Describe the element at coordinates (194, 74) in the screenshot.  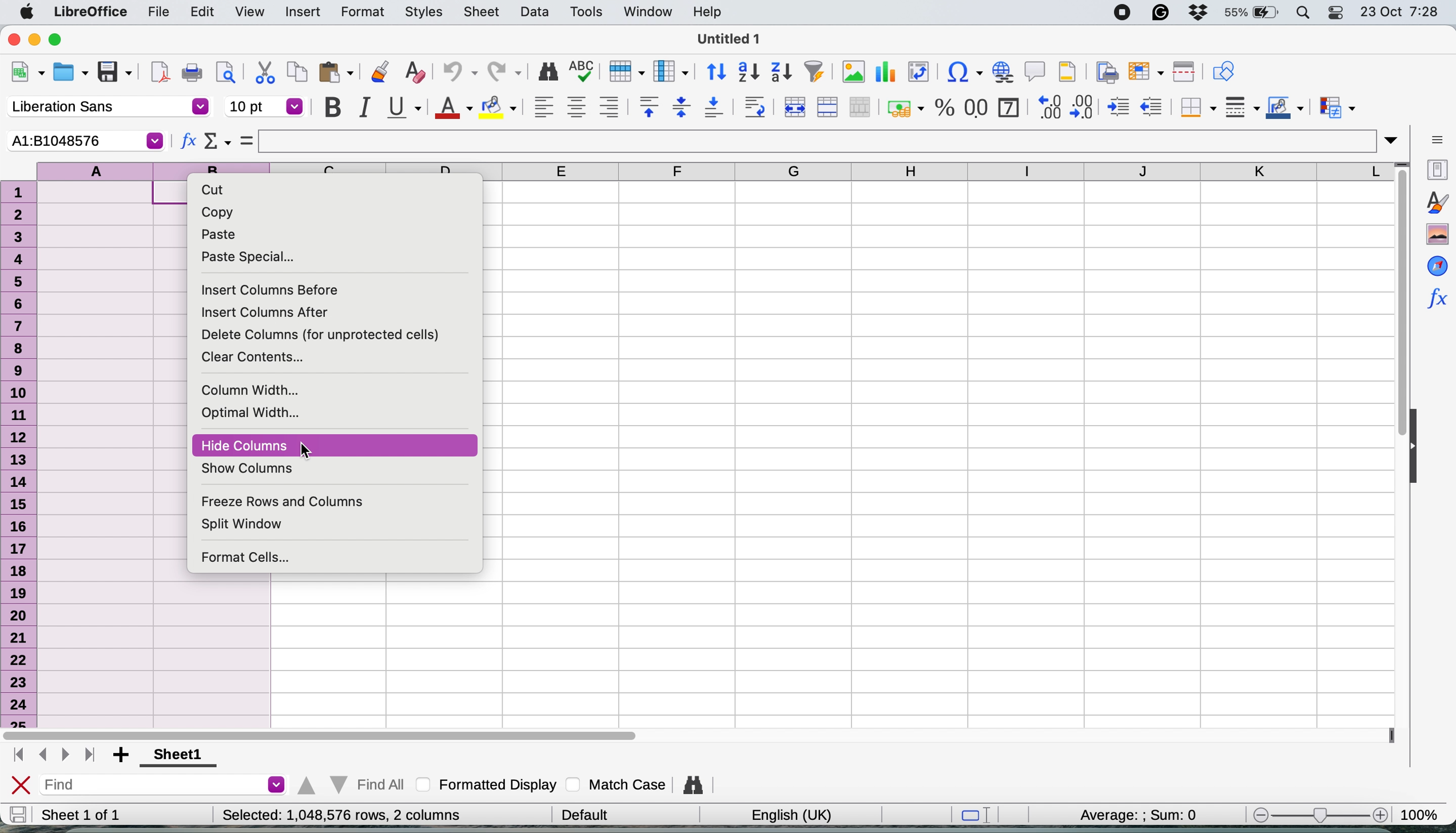
I see `print` at that location.